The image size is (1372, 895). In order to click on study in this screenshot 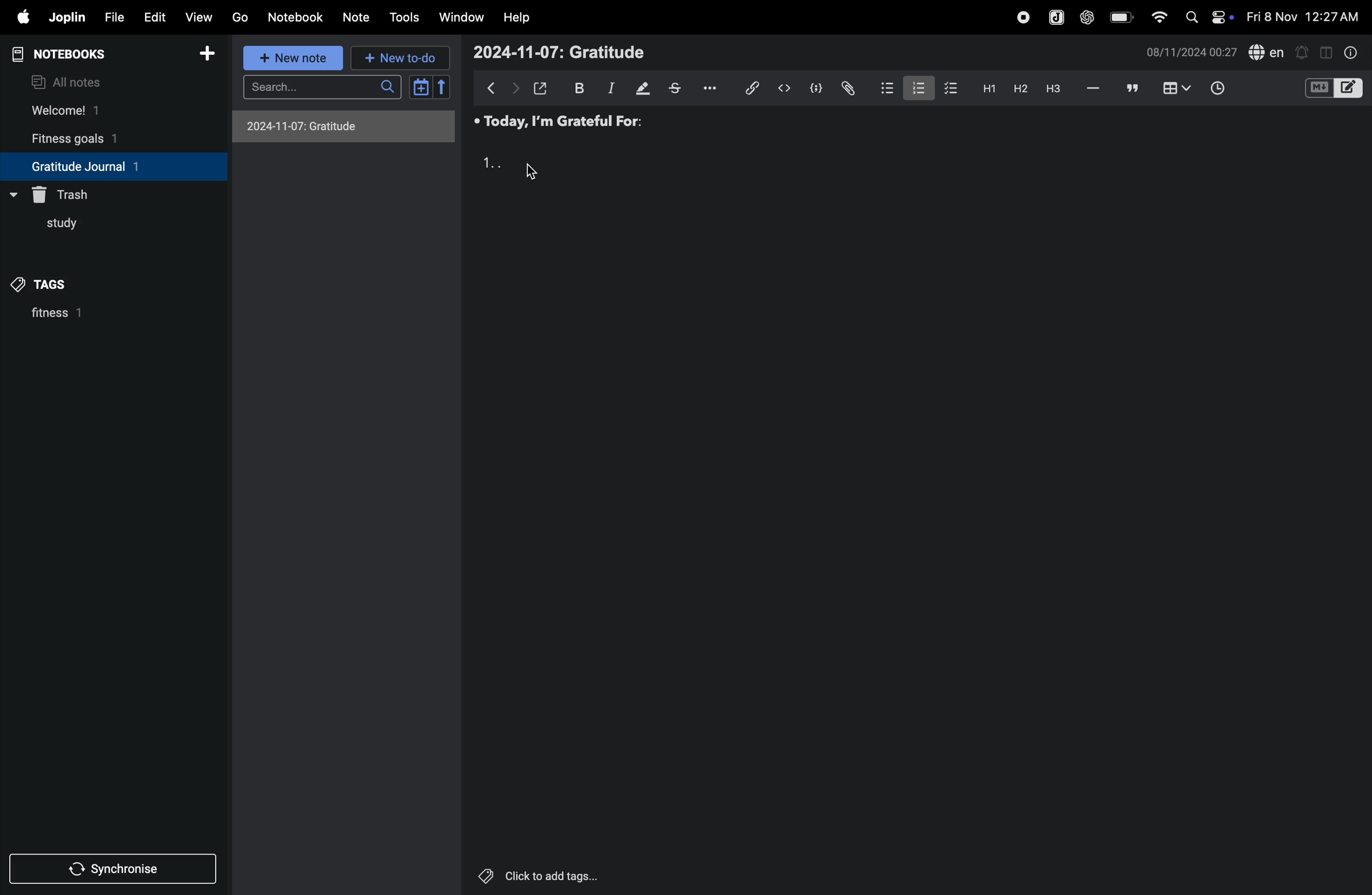, I will do `click(54, 227)`.